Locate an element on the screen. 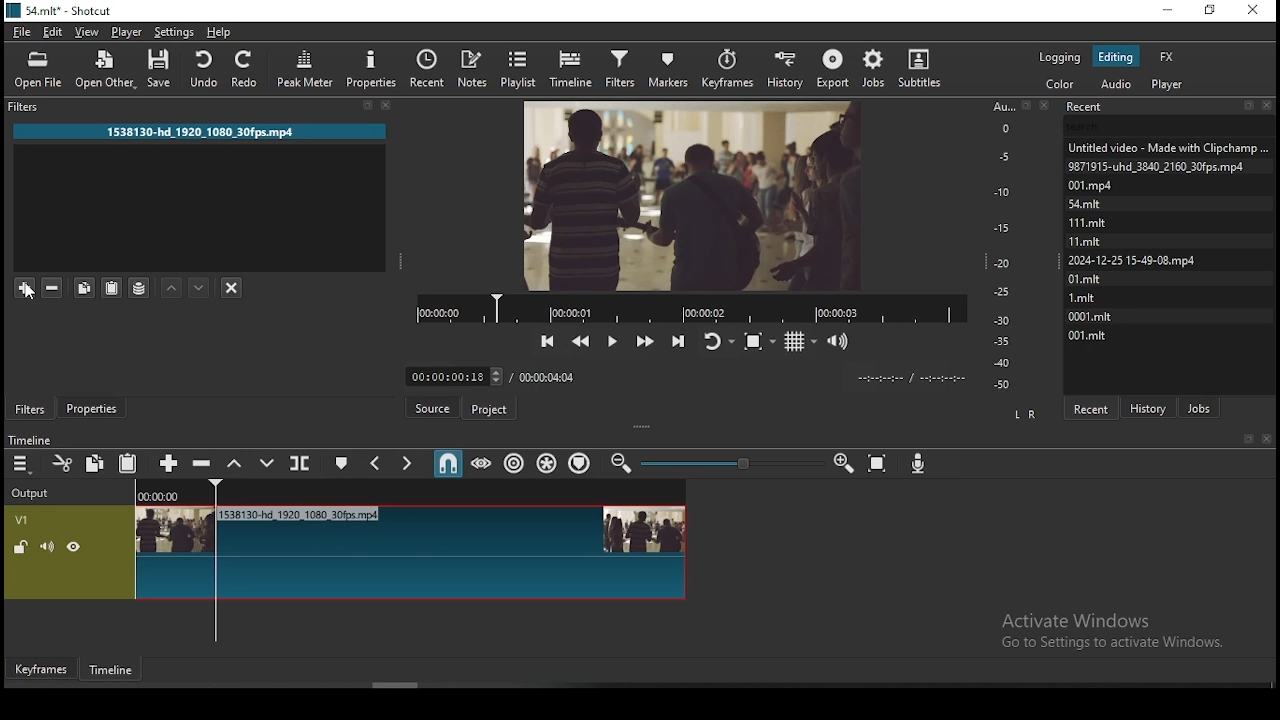 This screenshot has width=1280, height=720. open other is located at coordinates (107, 72).